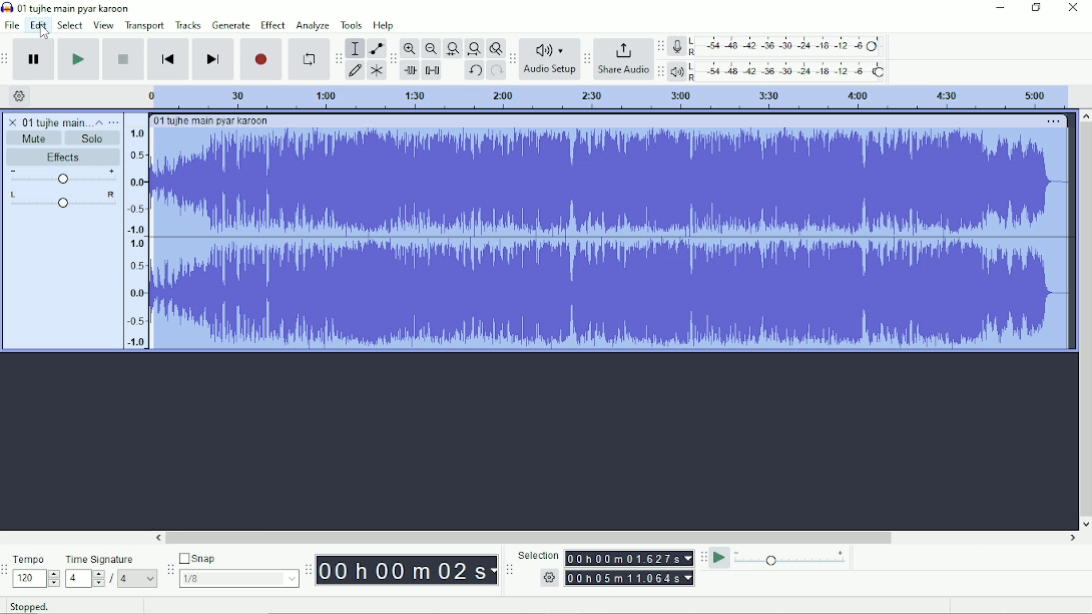 The image size is (1092, 614). I want to click on Stopped, so click(29, 605).